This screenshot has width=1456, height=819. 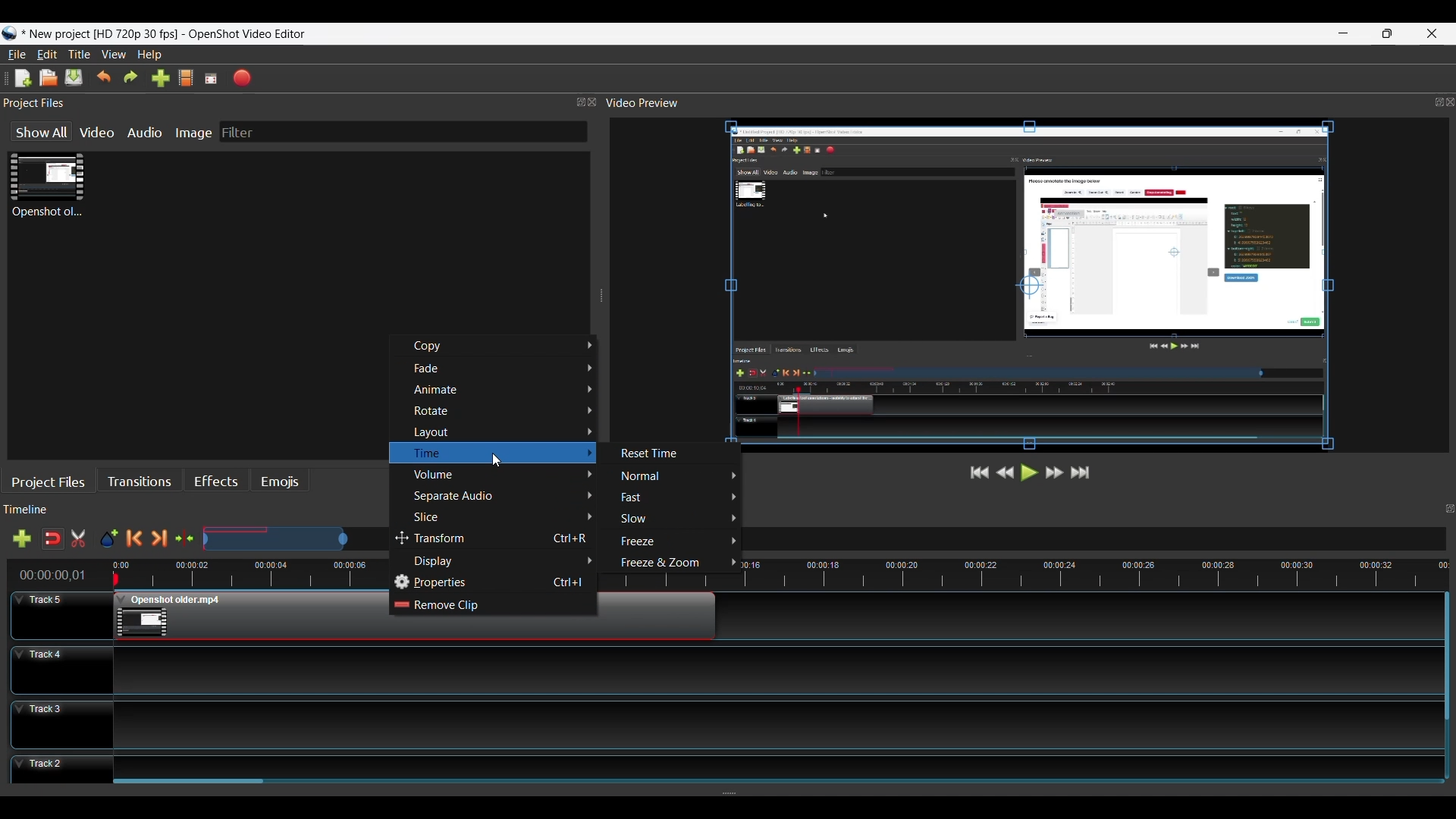 What do you see at coordinates (242, 617) in the screenshot?
I see `Clip at Track Panel` at bounding box center [242, 617].